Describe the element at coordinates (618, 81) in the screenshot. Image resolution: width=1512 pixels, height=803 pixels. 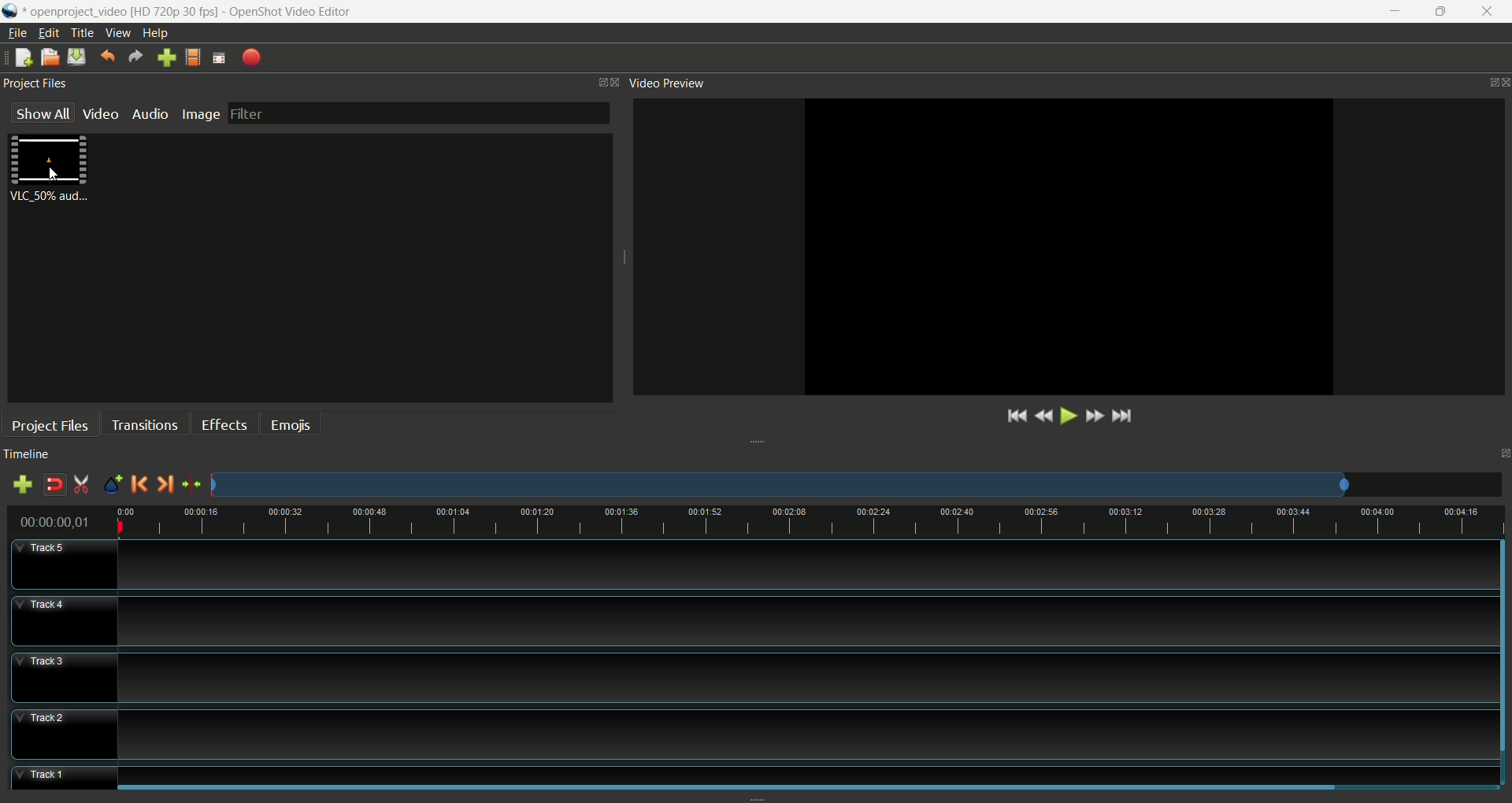
I see `close window` at that location.